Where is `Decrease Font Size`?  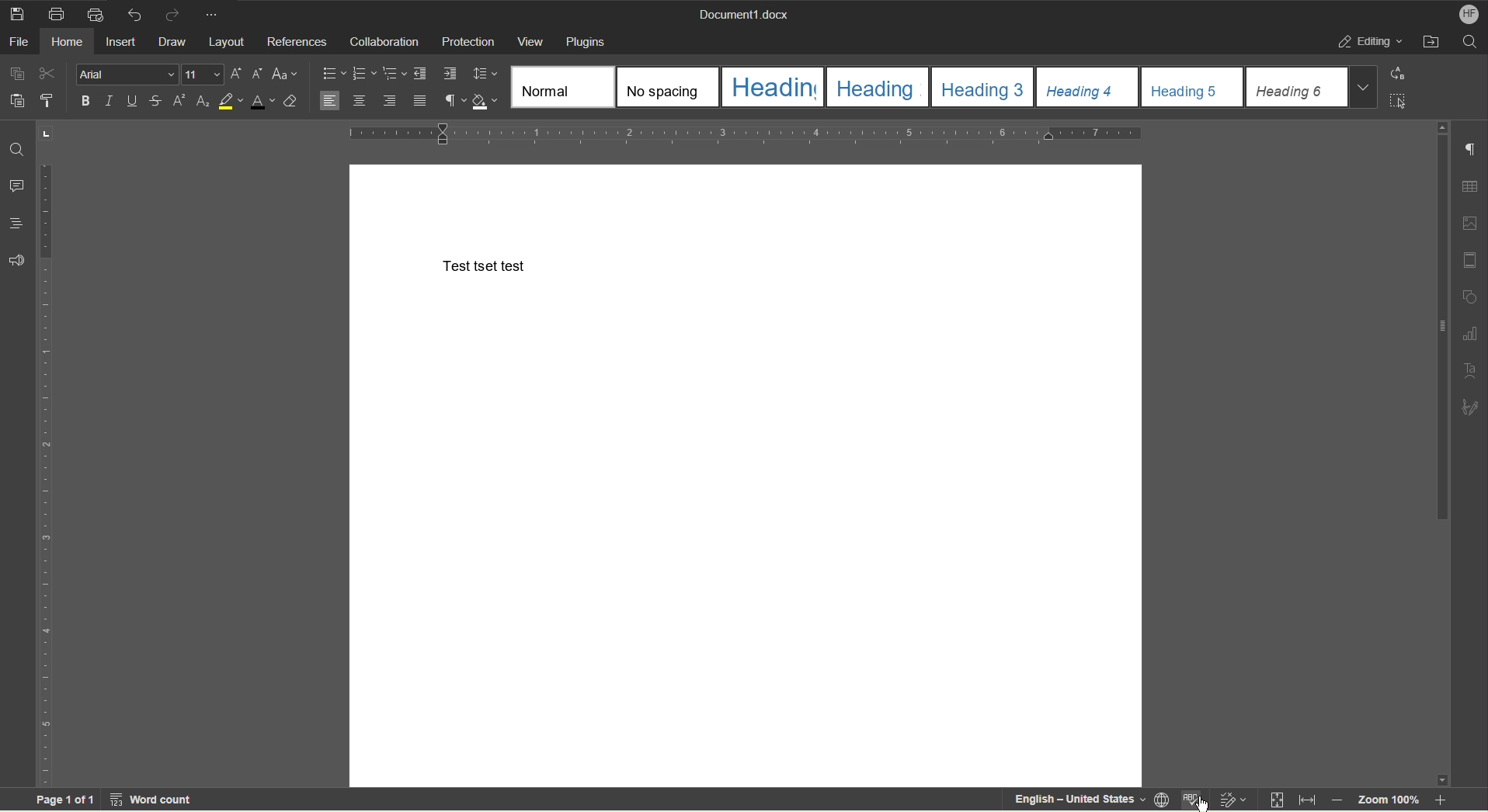 Decrease Font Size is located at coordinates (256, 75).